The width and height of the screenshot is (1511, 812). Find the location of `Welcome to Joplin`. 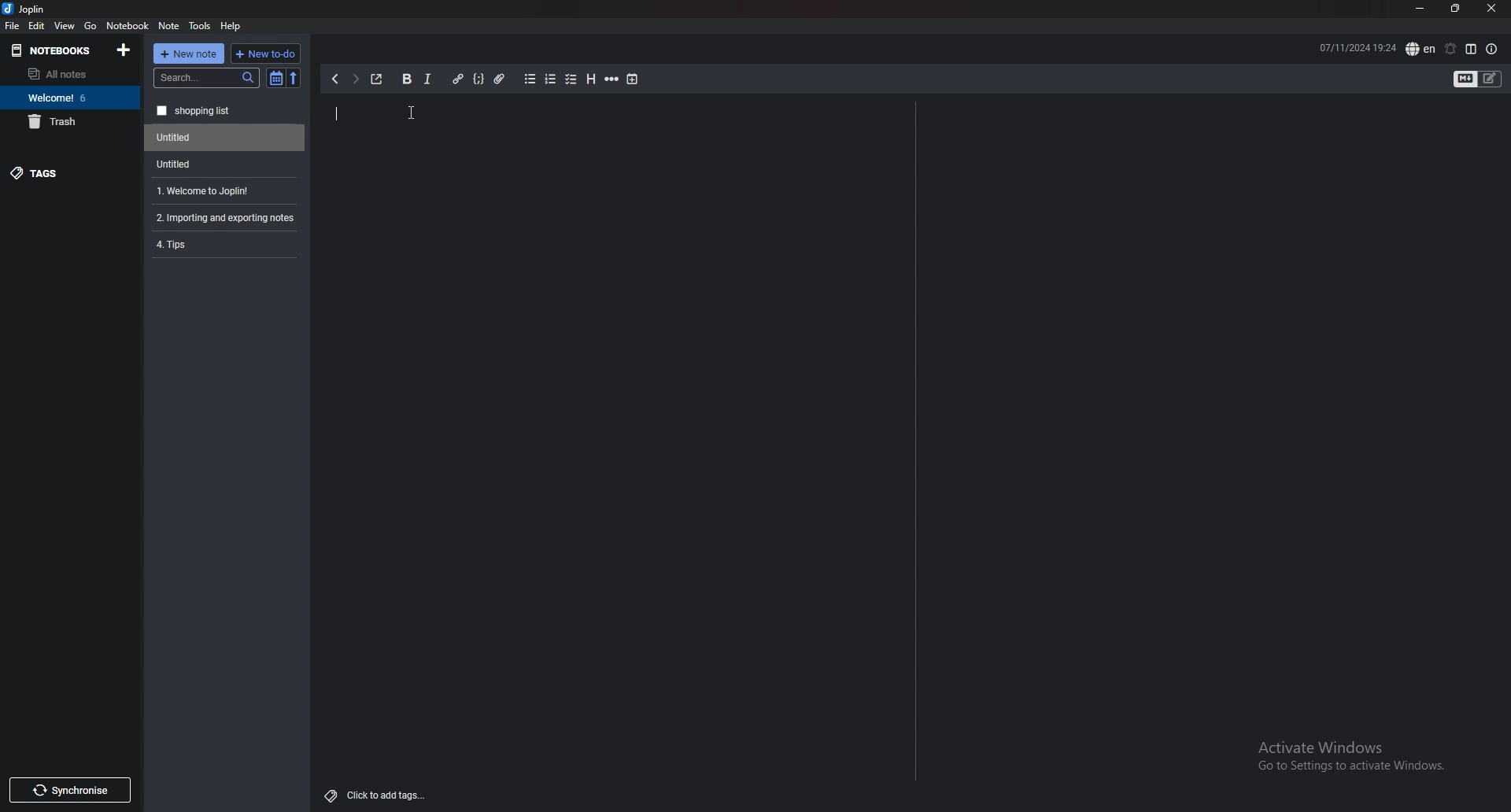

Welcome to Joplin is located at coordinates (222, 190).